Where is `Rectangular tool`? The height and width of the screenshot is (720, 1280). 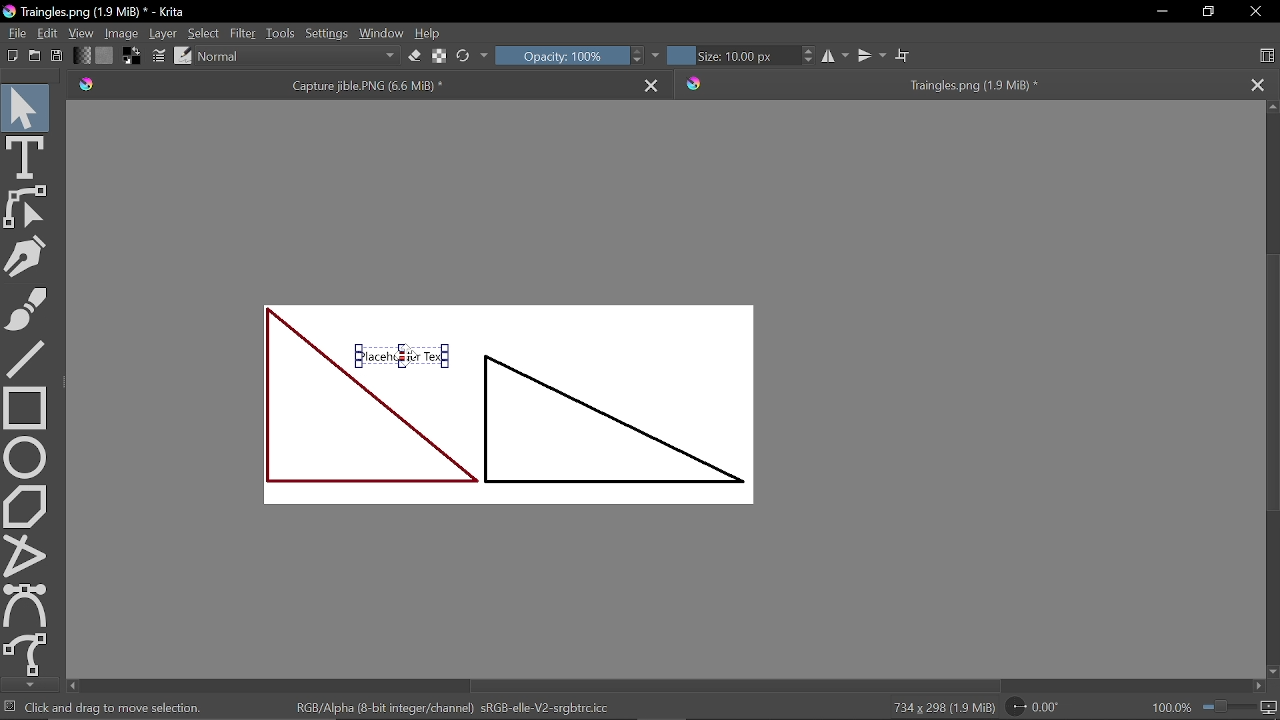 Rectangular tool is located at coordinates (26, 407).